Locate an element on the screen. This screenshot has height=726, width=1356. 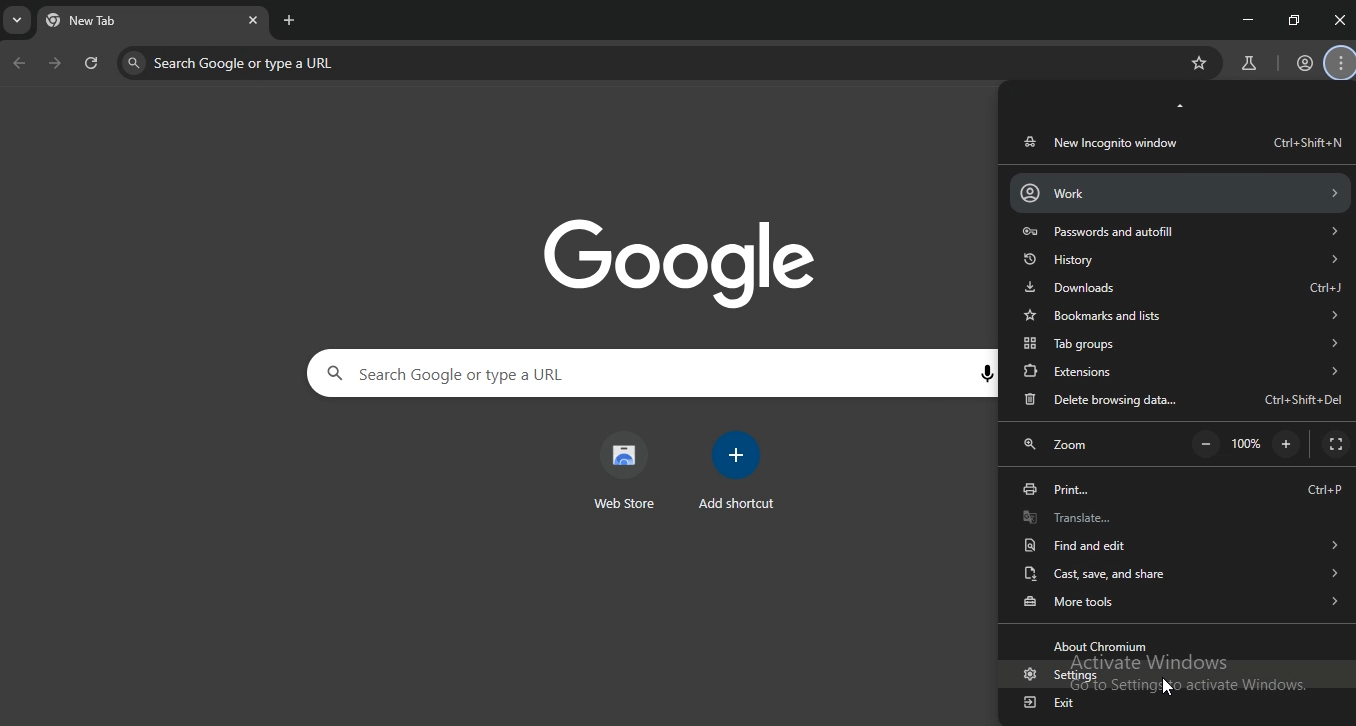
cursor is located at coordinates (1168, 687).